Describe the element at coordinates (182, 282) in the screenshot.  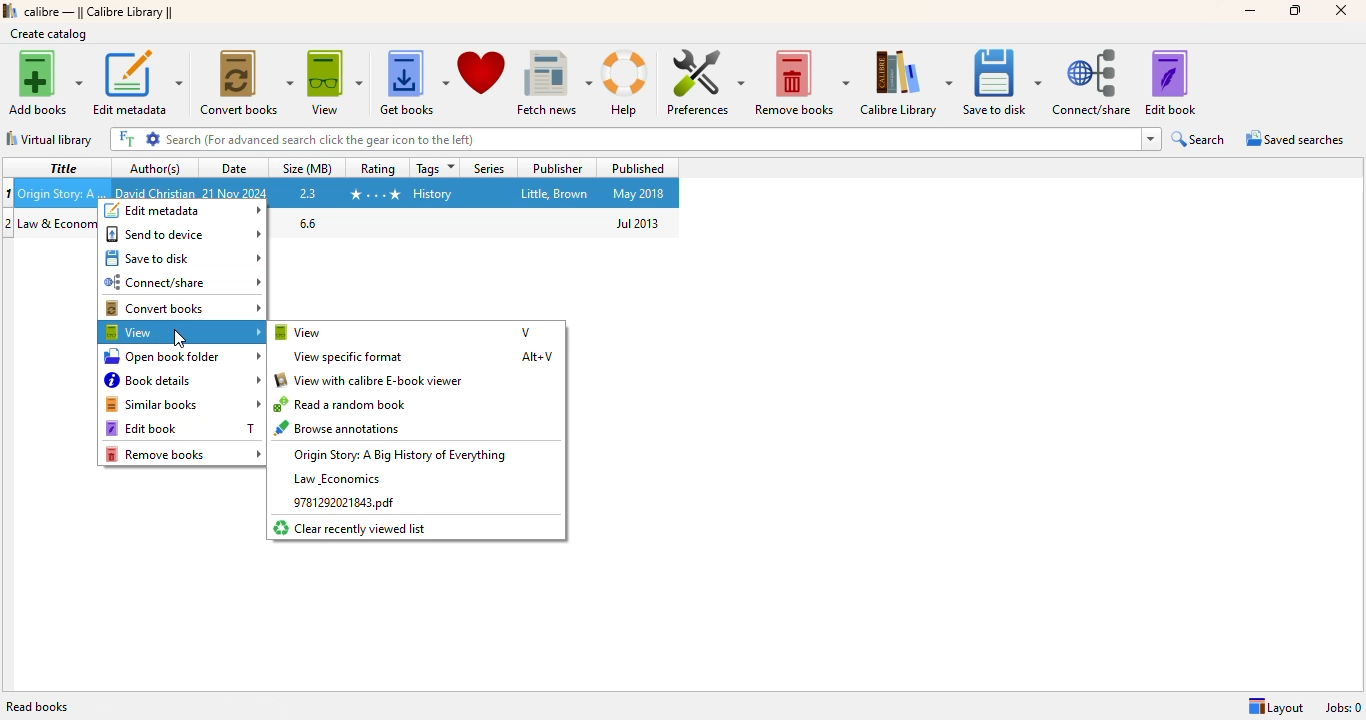
I see `connect/share` at that location.